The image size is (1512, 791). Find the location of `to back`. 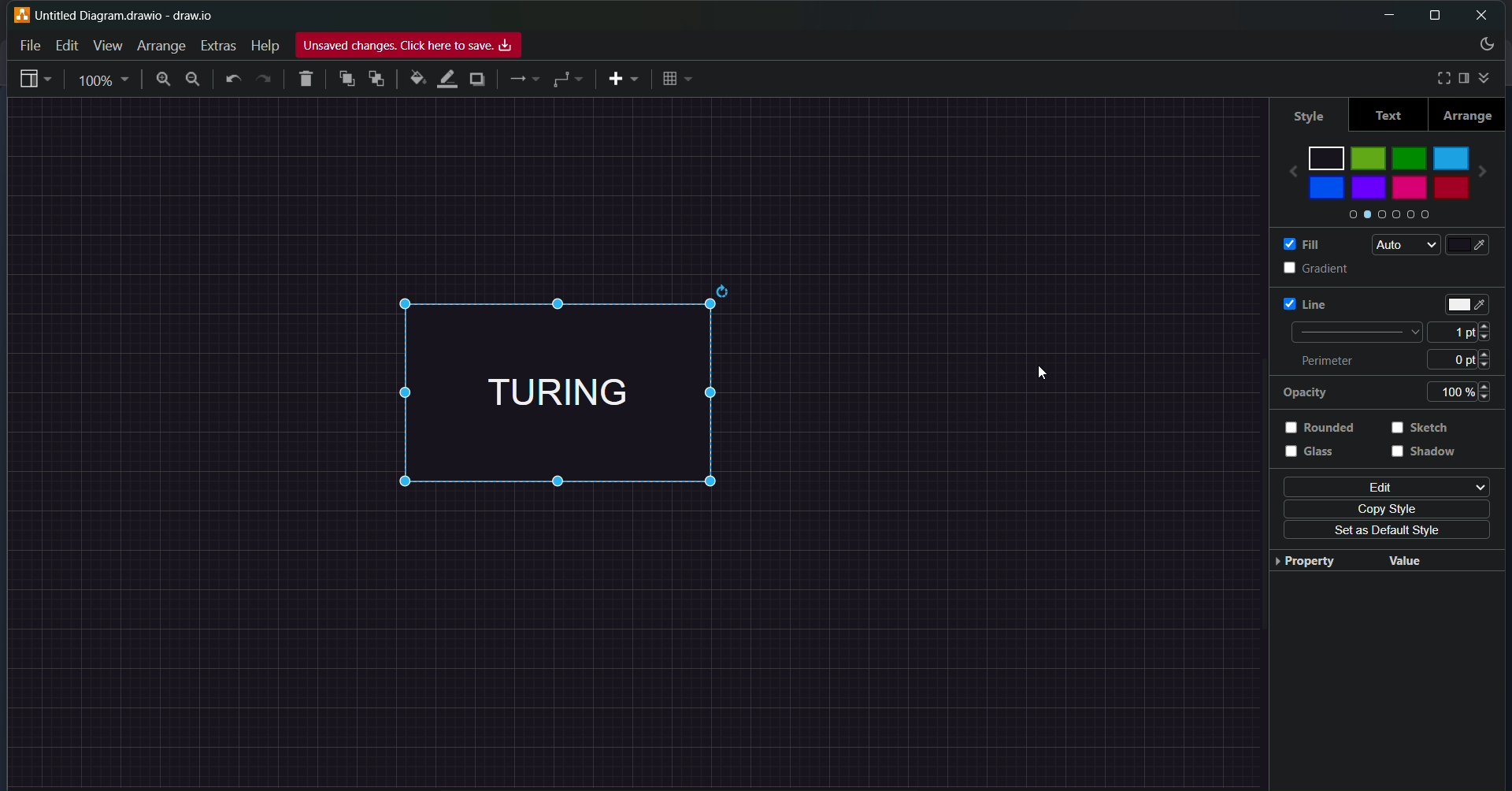

to back is located at coordinates (377, 80).